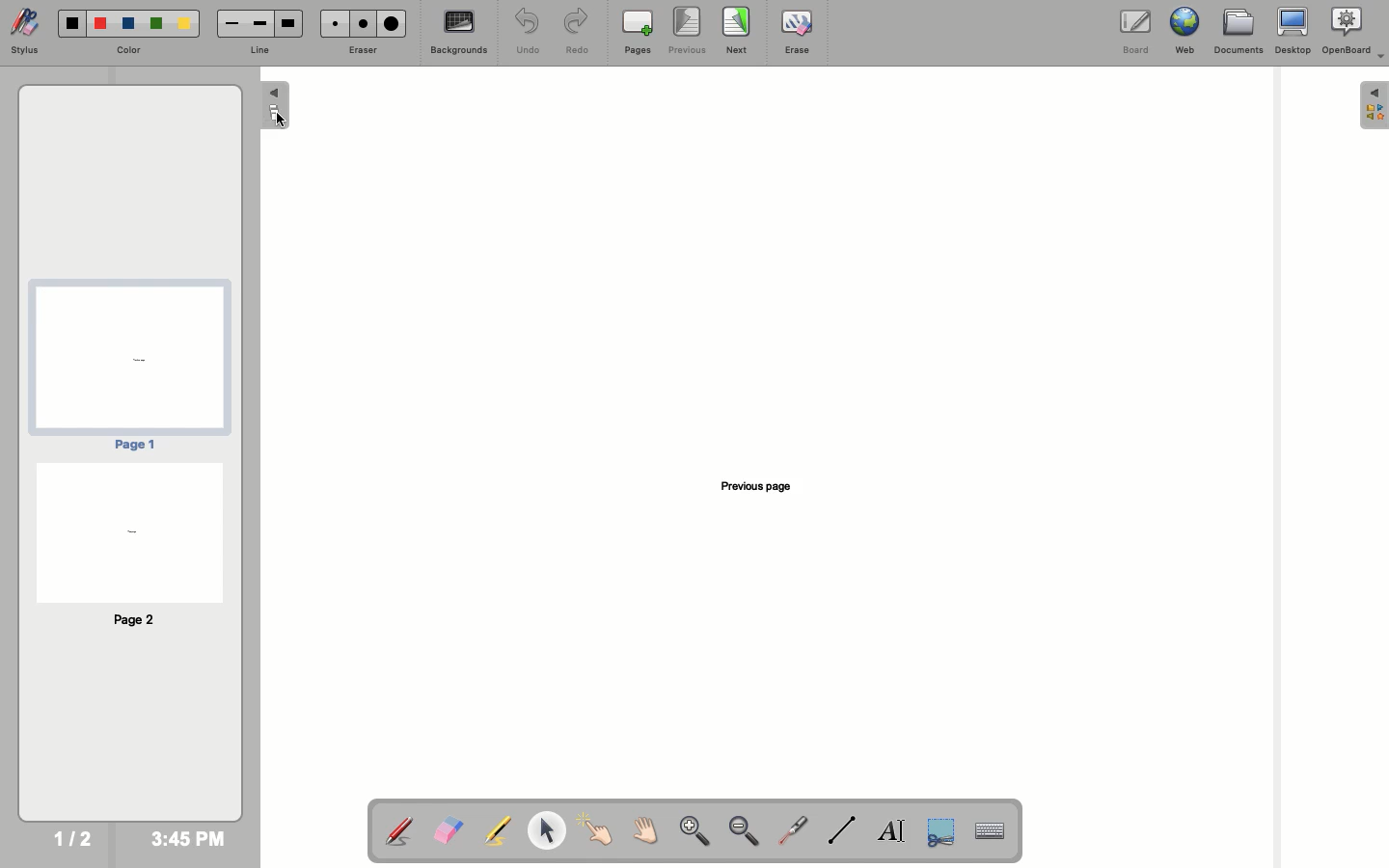 This screenshot has width=1389, height=868. What do you see at coordinates (72, 24) in the screenshot?
I see `Color 1` at bounding box center [72, 24].